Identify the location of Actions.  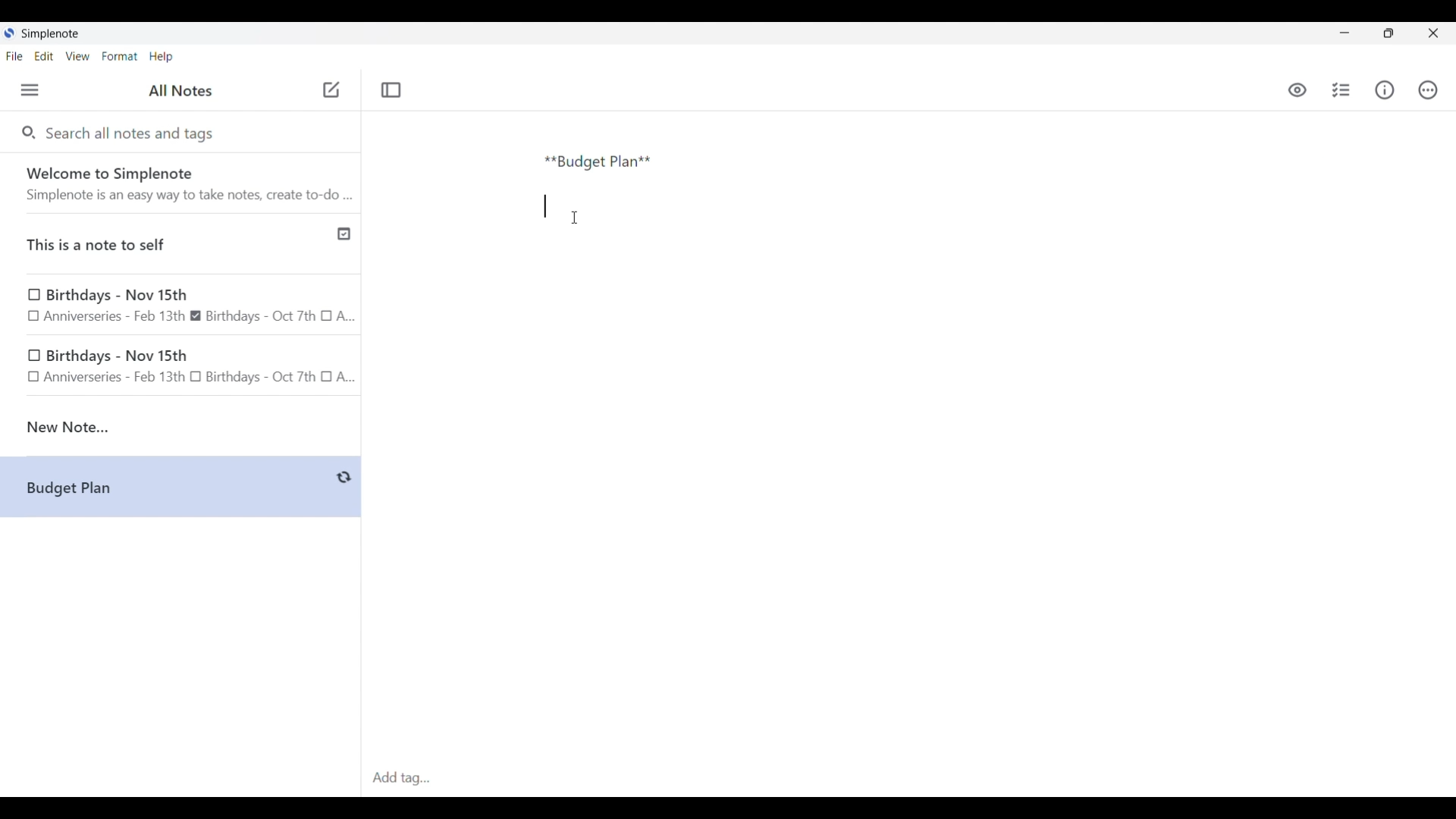
(1427, 90).